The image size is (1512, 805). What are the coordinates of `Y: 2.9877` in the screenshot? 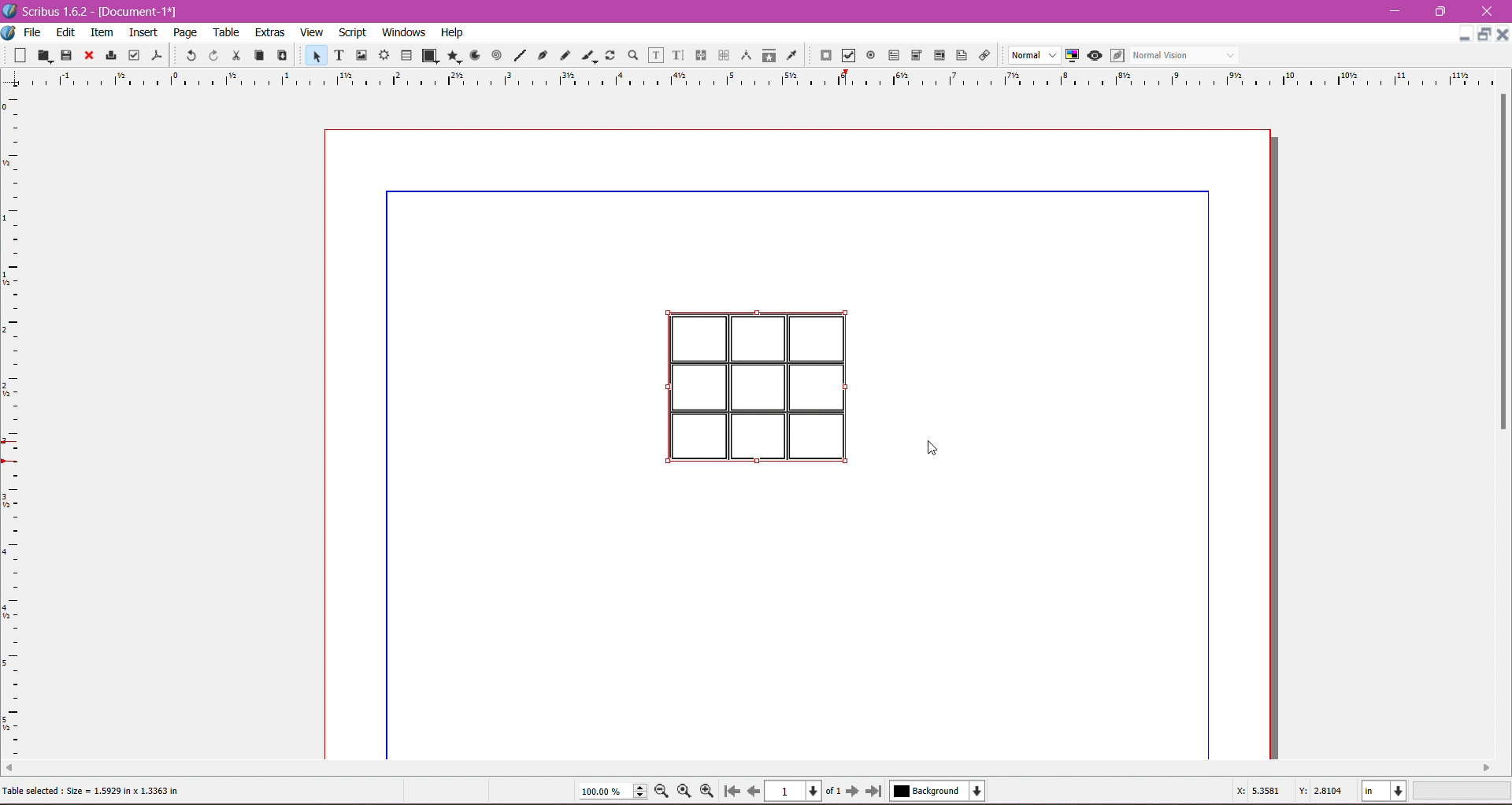 It's located at (1320, 789).